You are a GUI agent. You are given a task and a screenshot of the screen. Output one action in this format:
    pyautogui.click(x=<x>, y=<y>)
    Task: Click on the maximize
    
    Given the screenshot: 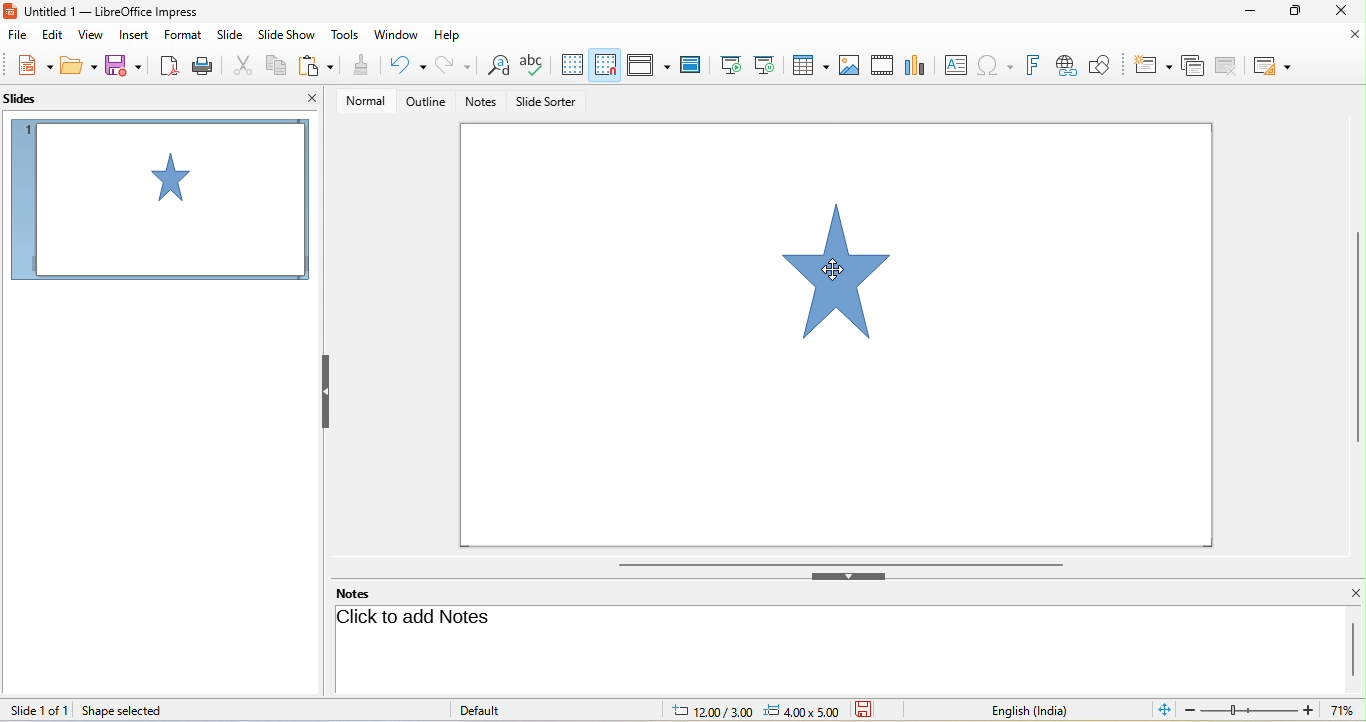 What is the action you would take?
    pyautogui.click(x=1296, y=10)
    